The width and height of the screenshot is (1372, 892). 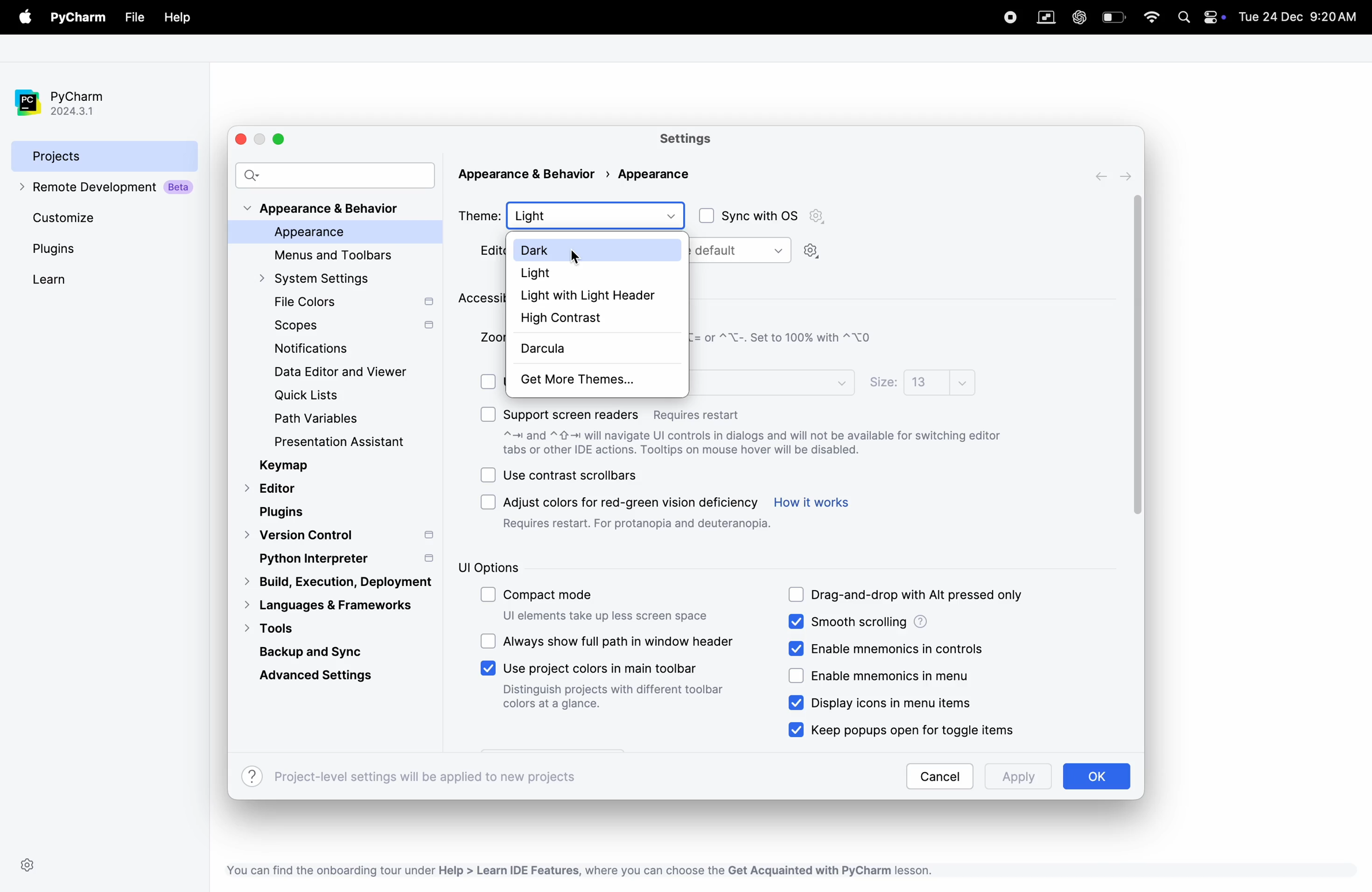 I want to click on system settings, so click(x=325, y=278).